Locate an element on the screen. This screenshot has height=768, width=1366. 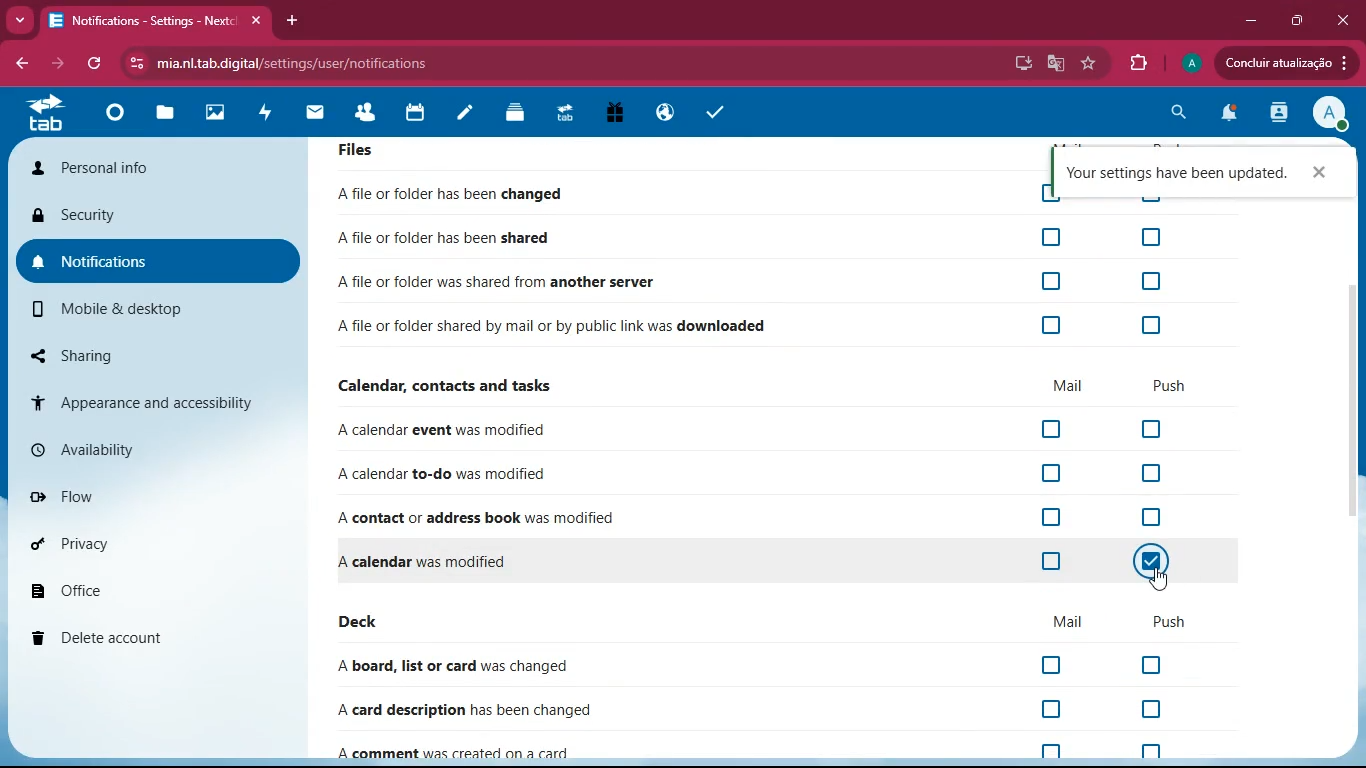
to-do is located at coordinates (447, 471).